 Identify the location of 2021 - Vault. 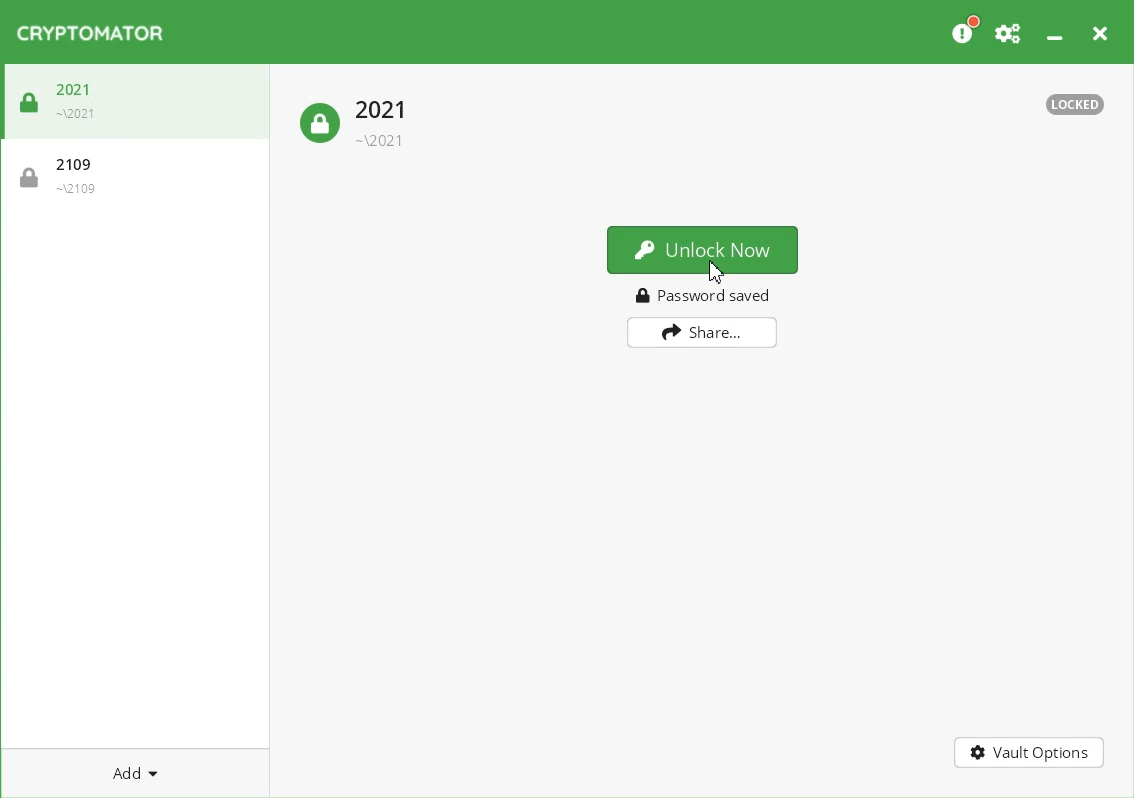
(140, 102).